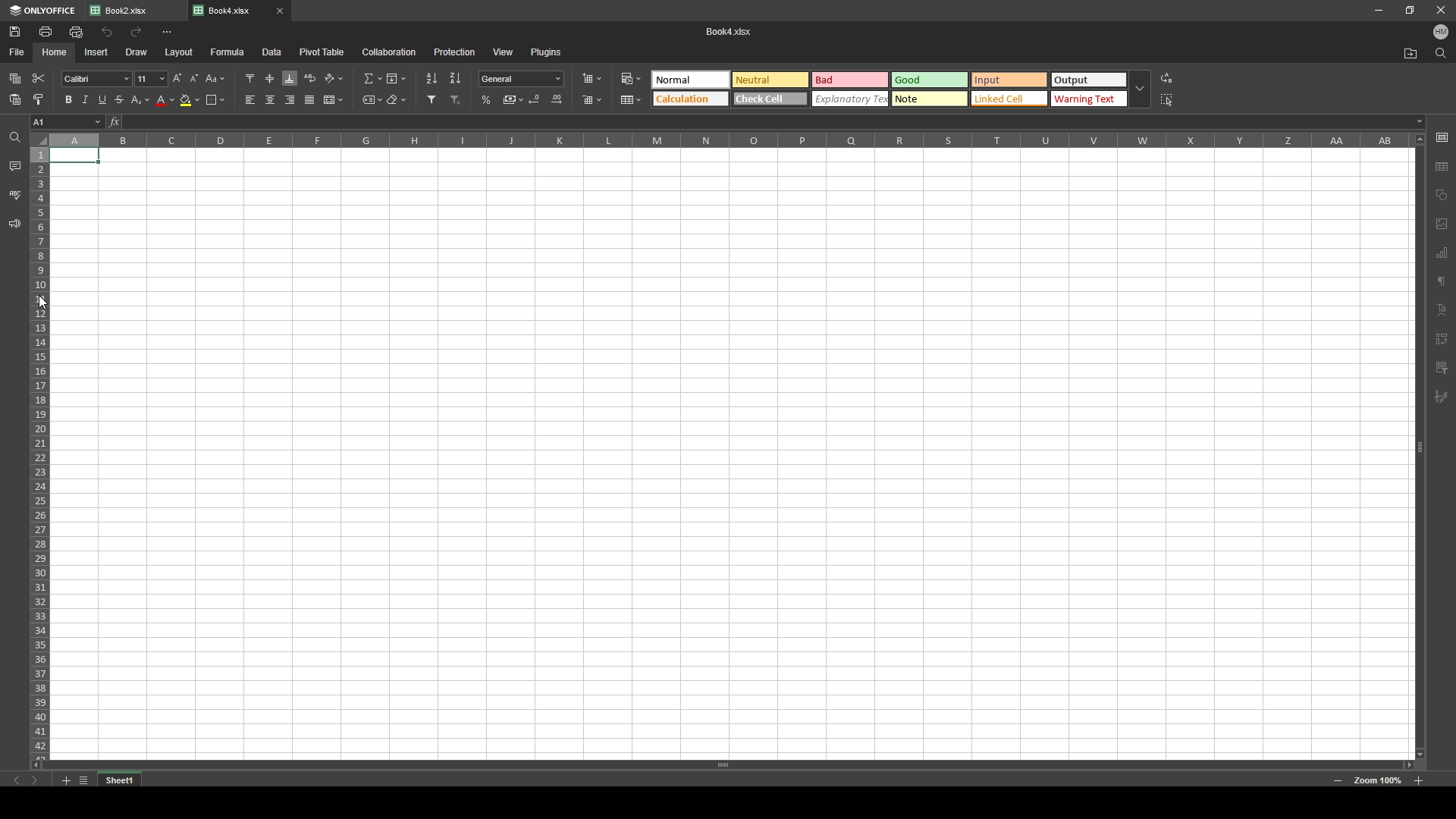 The height and width of the screenshot is (819, 1456). What do you see at coordinates (42, 300) in the screenshot?
I see `Cursor` at bounding box center [42, 300].